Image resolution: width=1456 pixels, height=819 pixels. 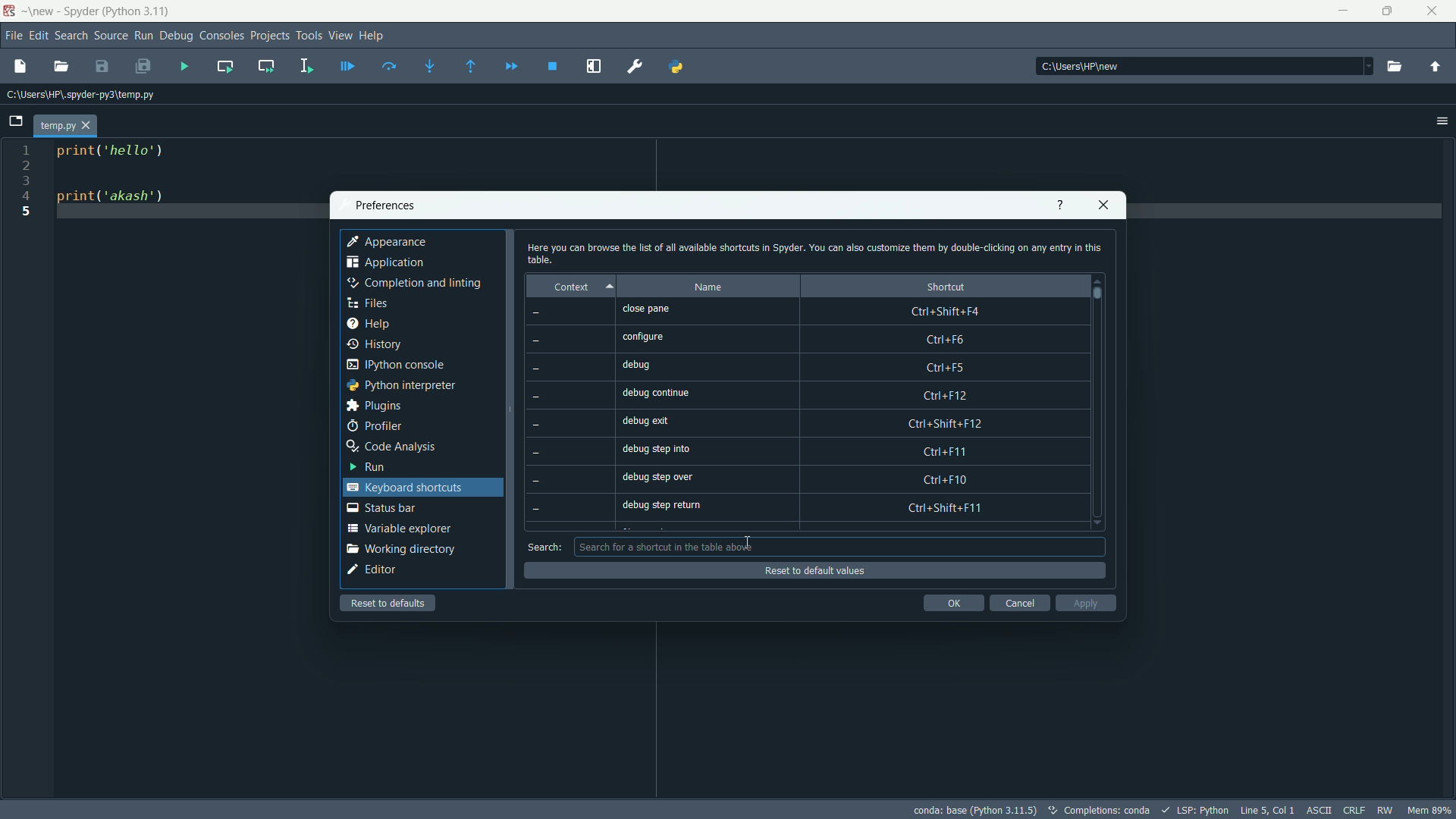 I want to click on -, debug step over, ctrl+f10, so click(x=807, y=480).